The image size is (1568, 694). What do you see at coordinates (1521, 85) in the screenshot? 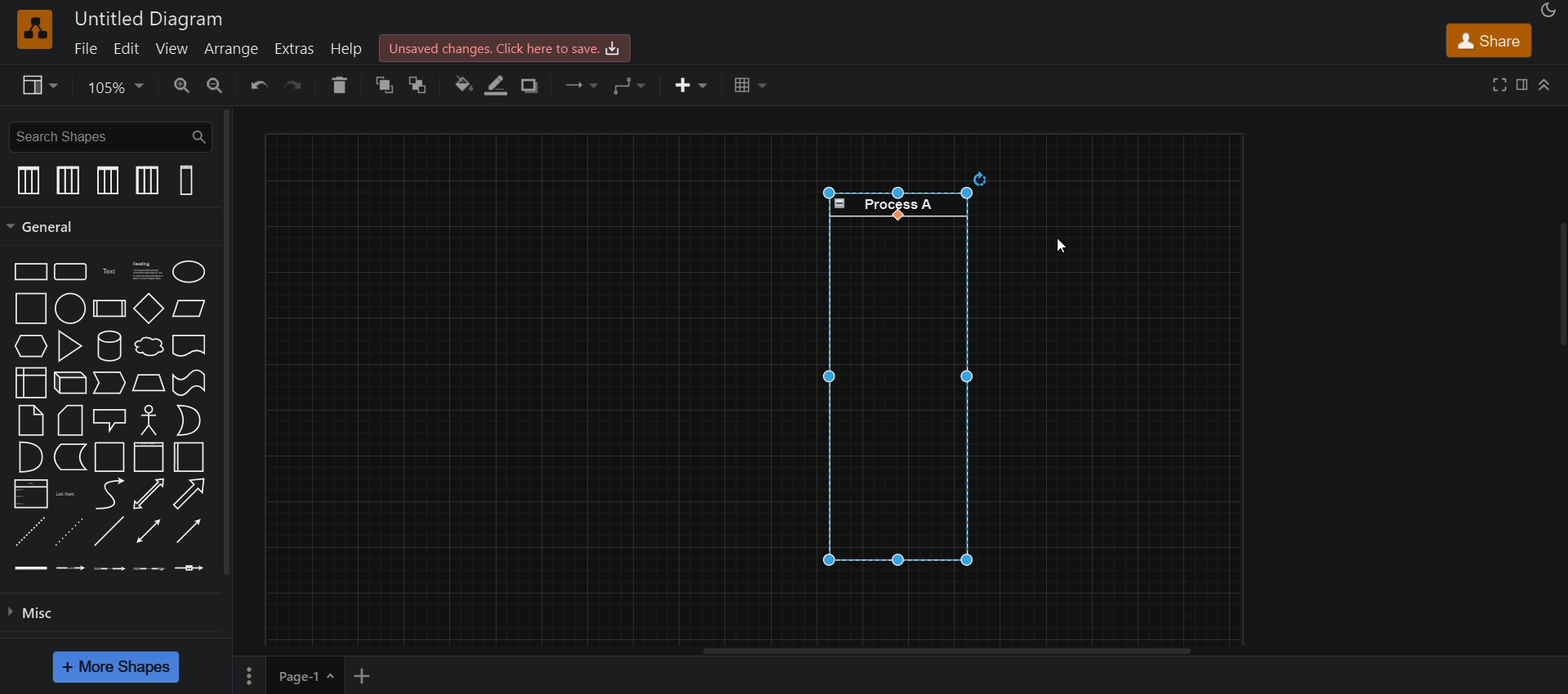
I see `format` at bounding box center [1521, 85].